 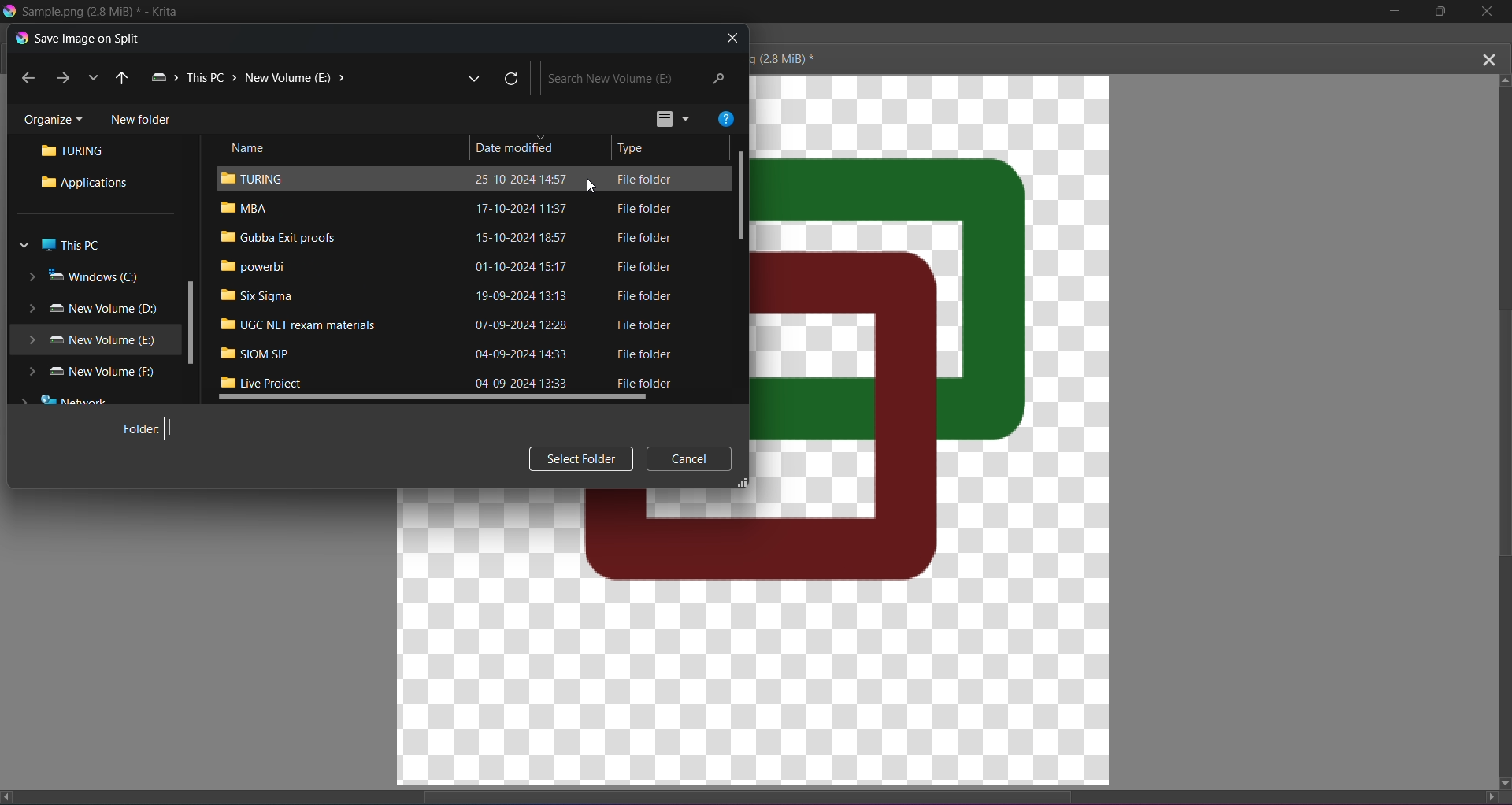 What do you see at coordinates (592, 185) in the screenshot?
I see `Cursor` at bounding box center [592, 185].